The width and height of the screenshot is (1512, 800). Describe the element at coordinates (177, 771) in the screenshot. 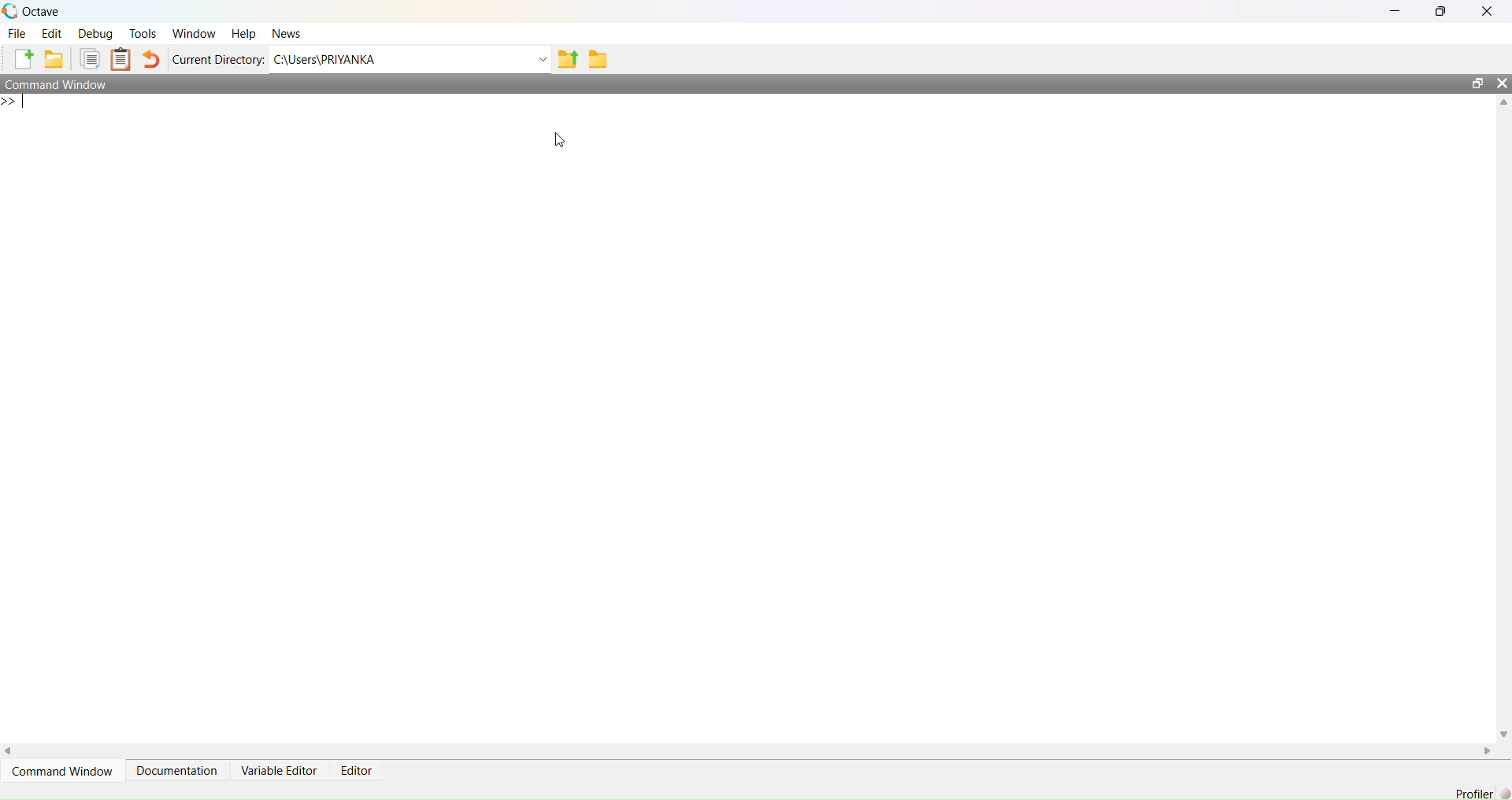

I see `Documentation` at that location.